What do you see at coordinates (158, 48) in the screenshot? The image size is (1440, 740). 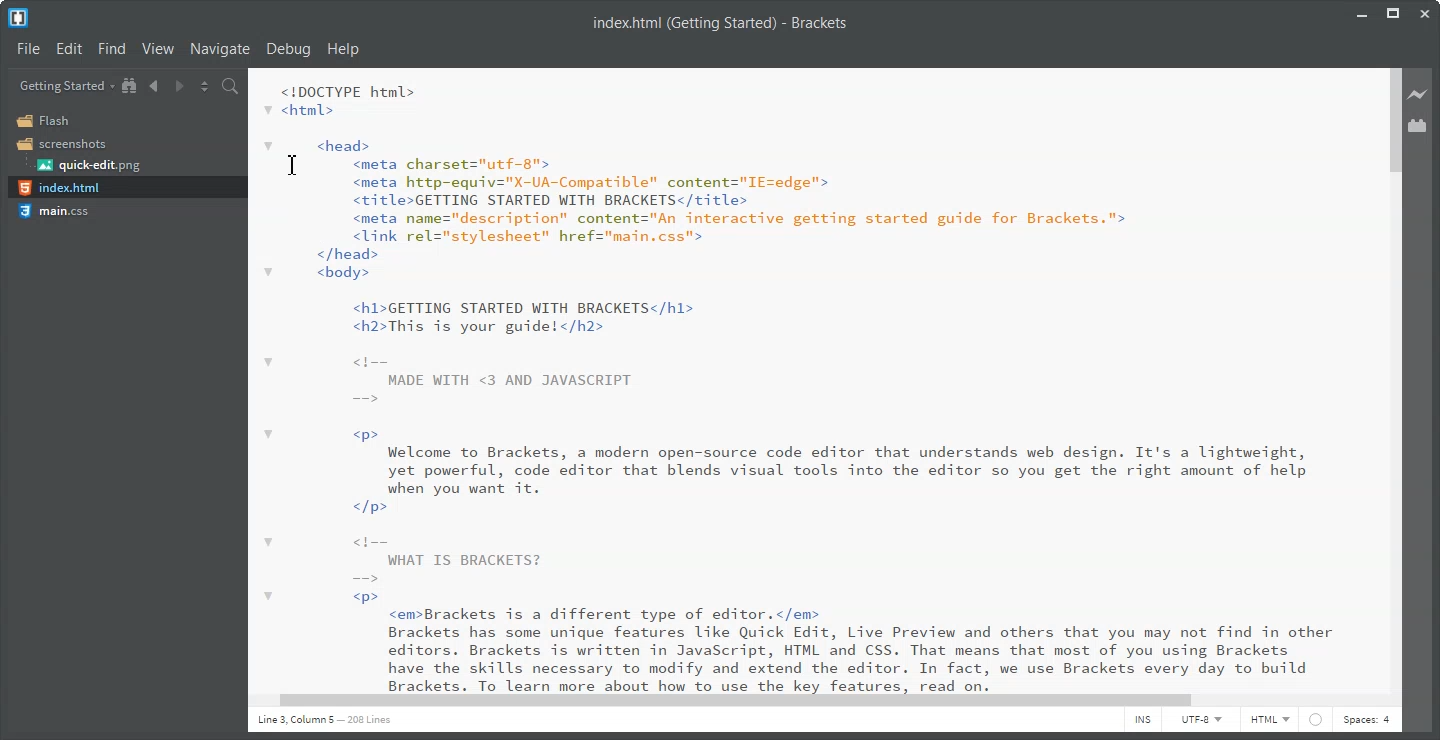 I see `View` at bounding box center [158, 48].